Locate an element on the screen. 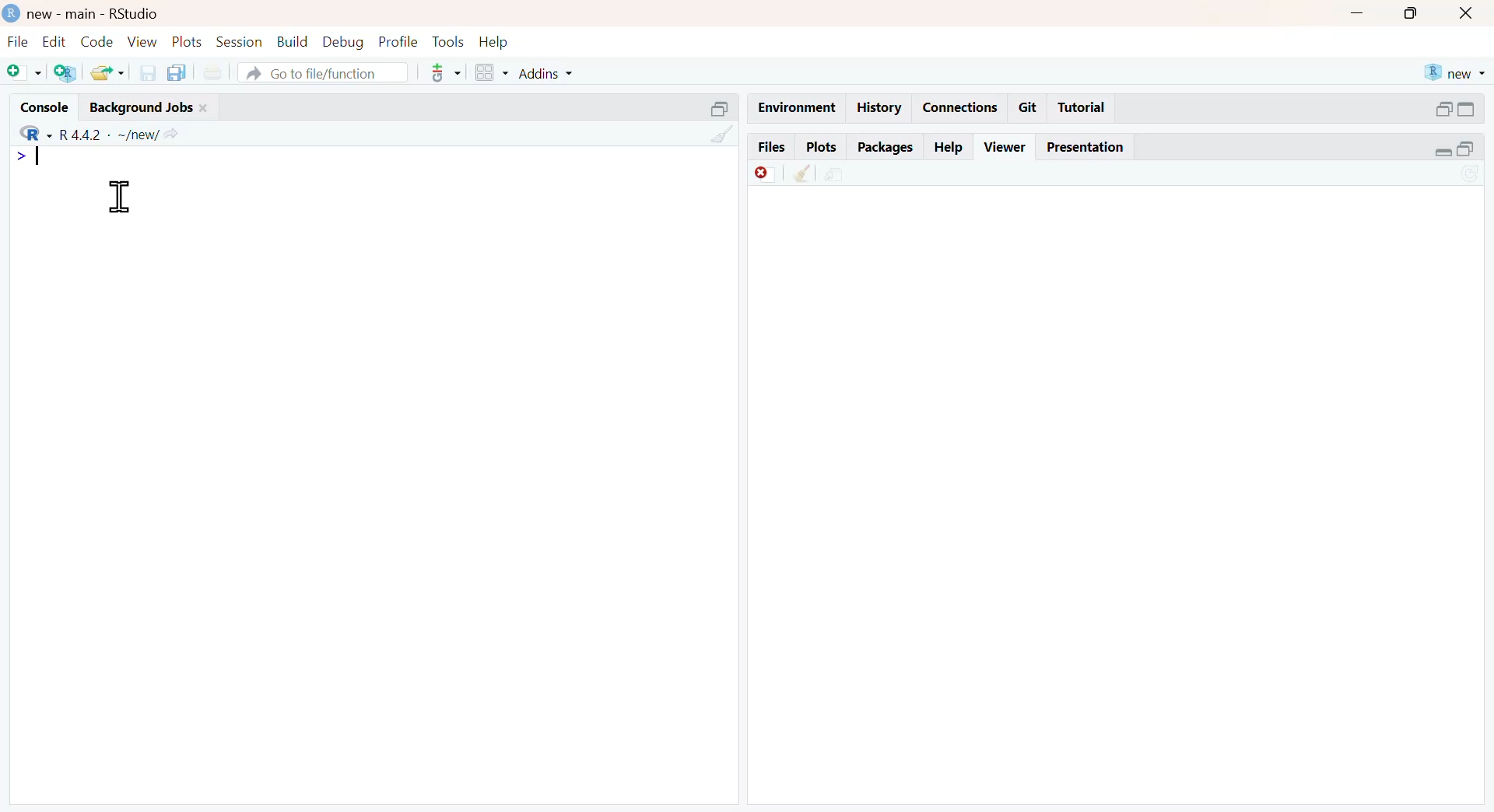  add R file is located at coordinates (68, 72).